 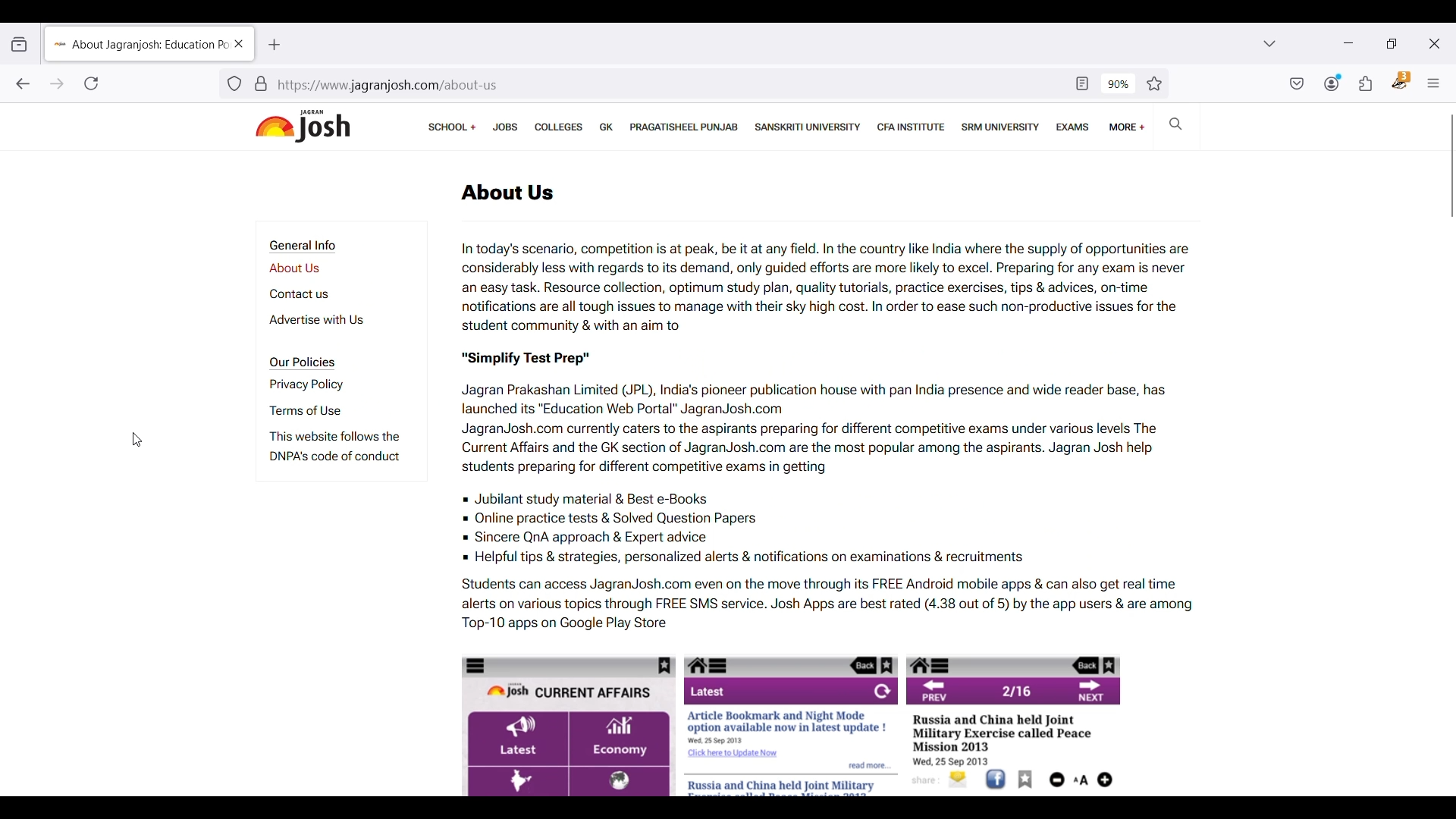 What do you see at coordinates (234, 83) in the screenshot?
I see `Tracker detection` at bounding box center [234, 83].